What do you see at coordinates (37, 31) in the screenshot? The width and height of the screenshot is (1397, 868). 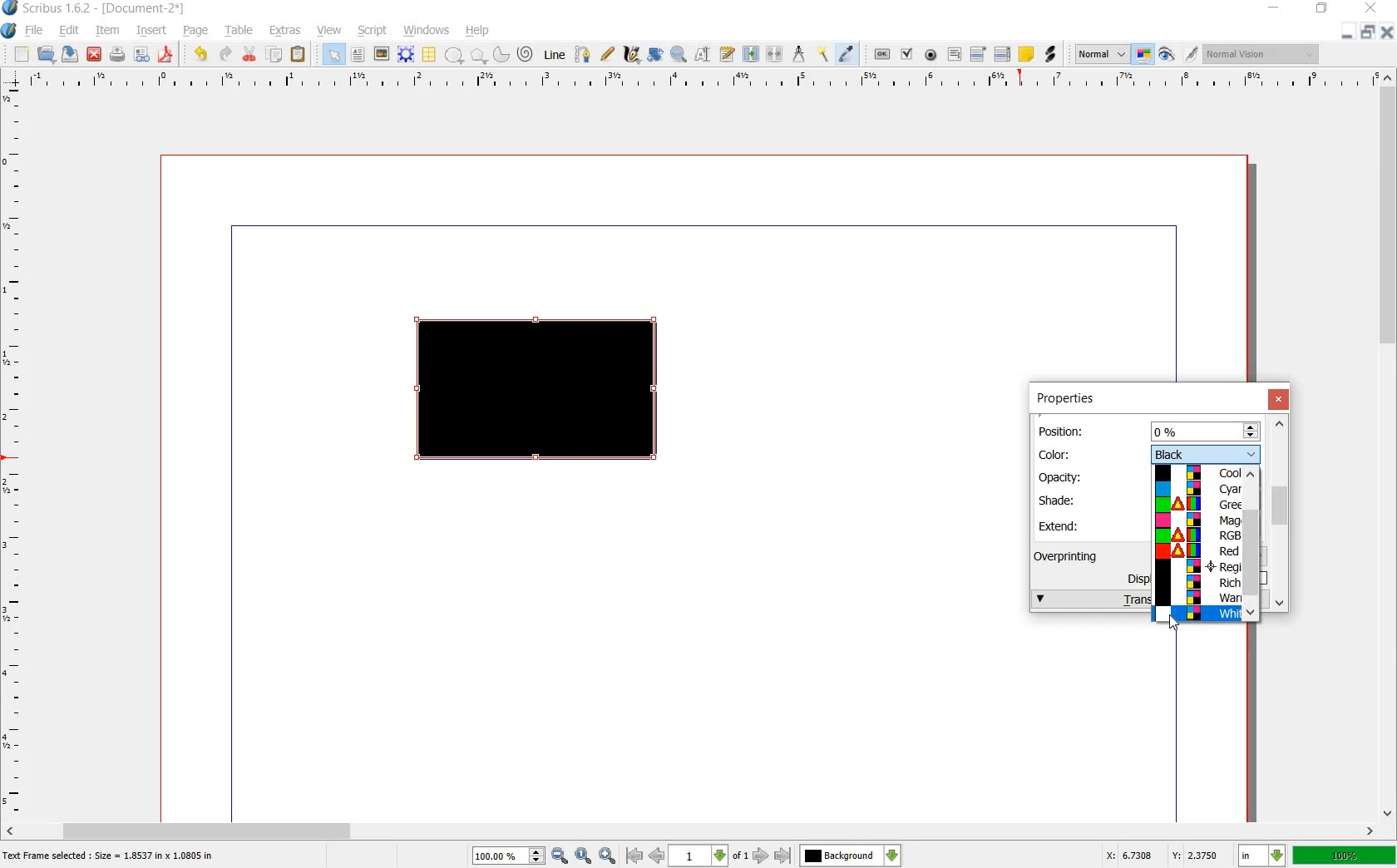 I see `file` at bounding box center [37, 31].